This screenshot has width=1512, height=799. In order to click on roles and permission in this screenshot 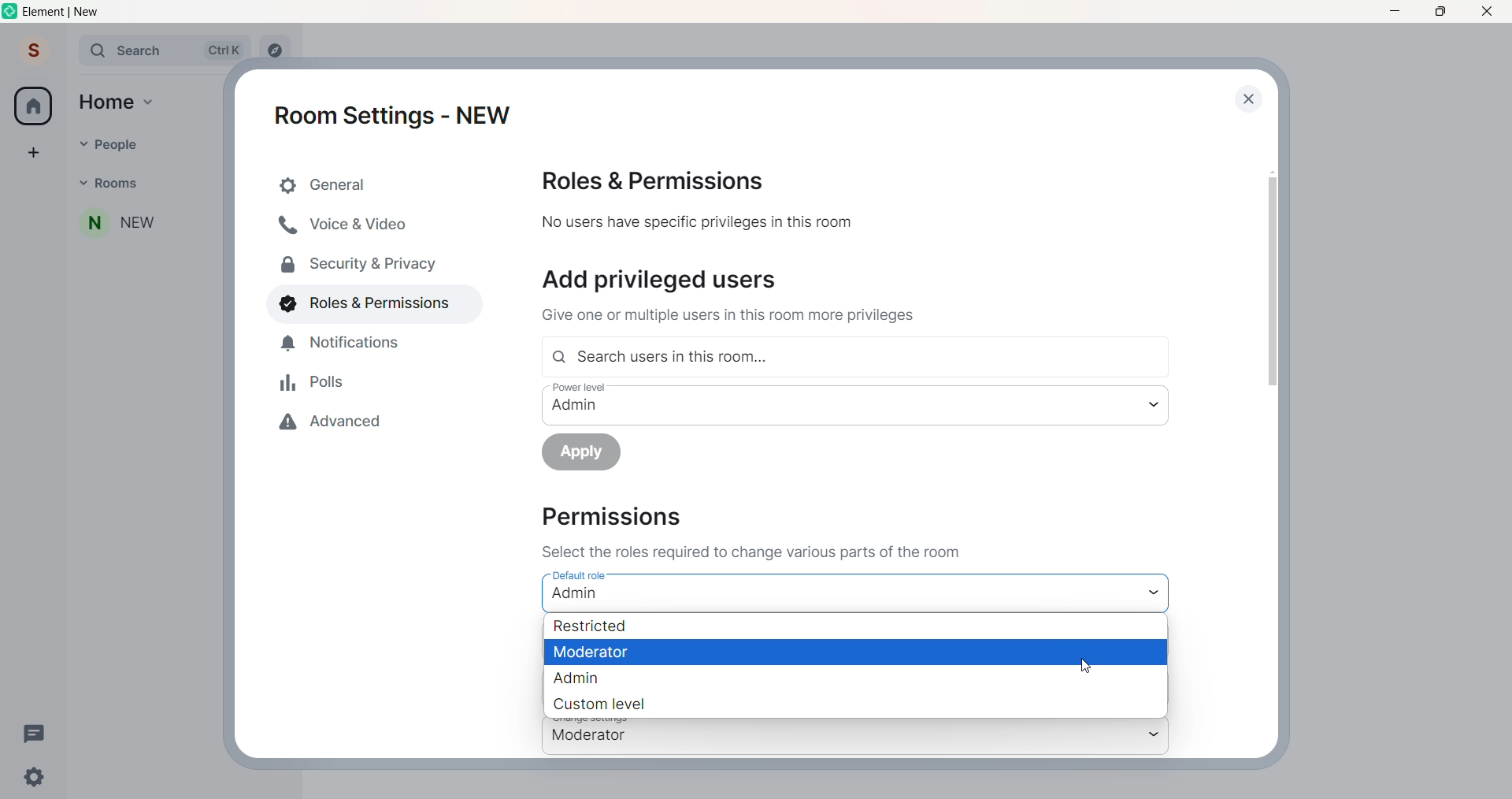, I will do `click(660, 180)`.